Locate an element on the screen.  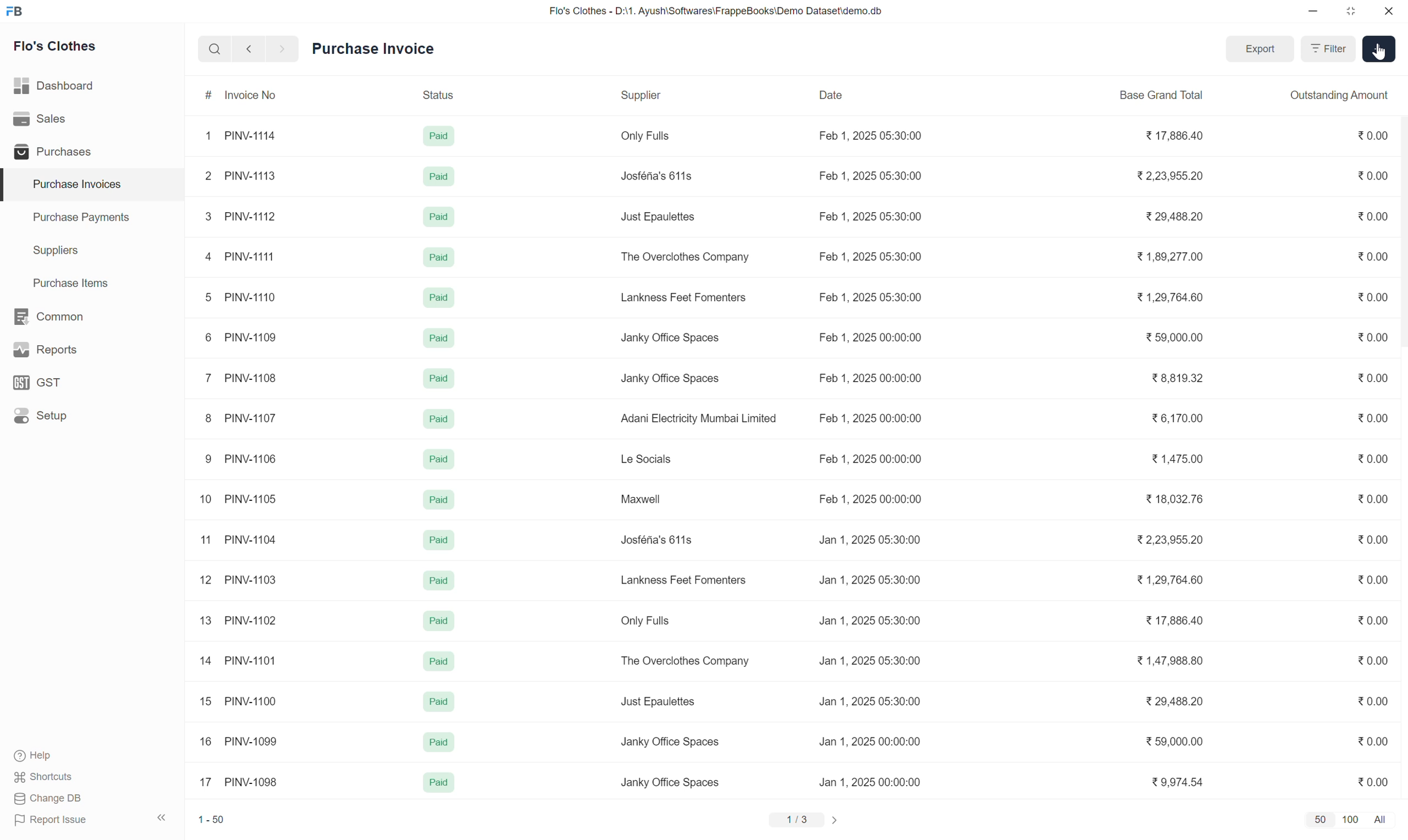
Feb 1, 2025 00:00:00 is located at coordinates (870, 338).